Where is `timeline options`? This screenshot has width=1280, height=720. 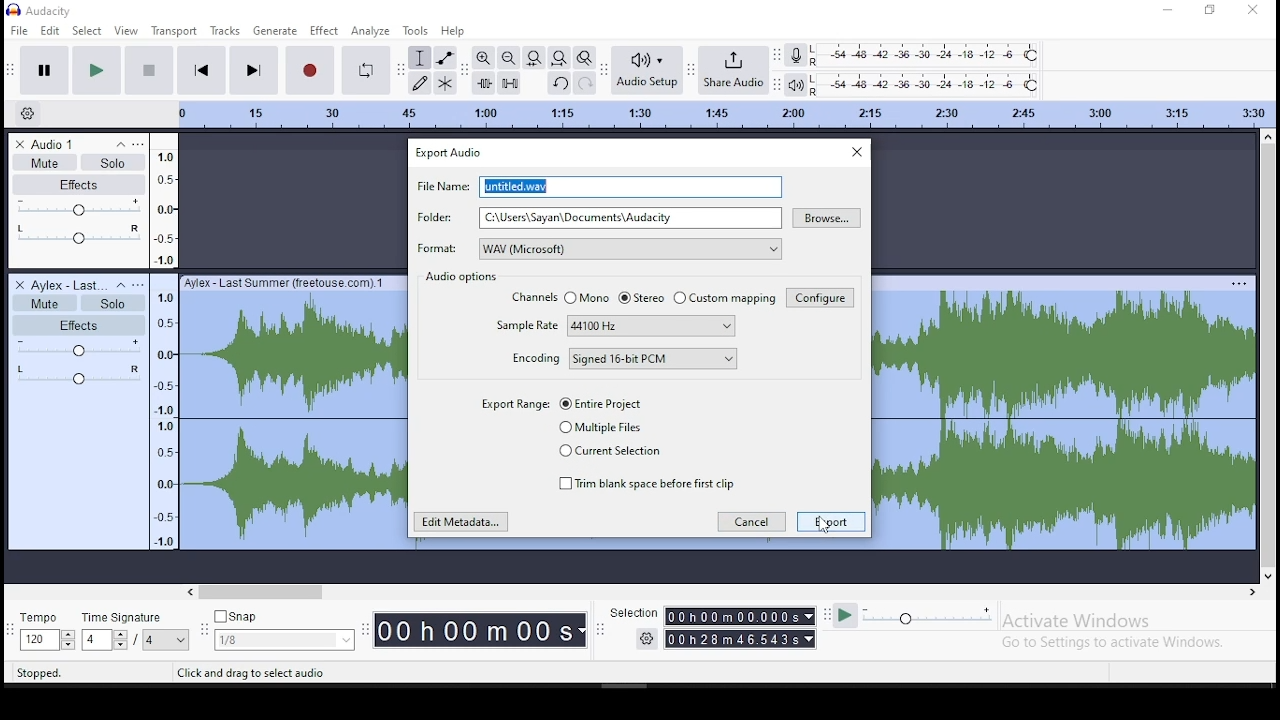 timeline options is located at coordinates (28, 113).